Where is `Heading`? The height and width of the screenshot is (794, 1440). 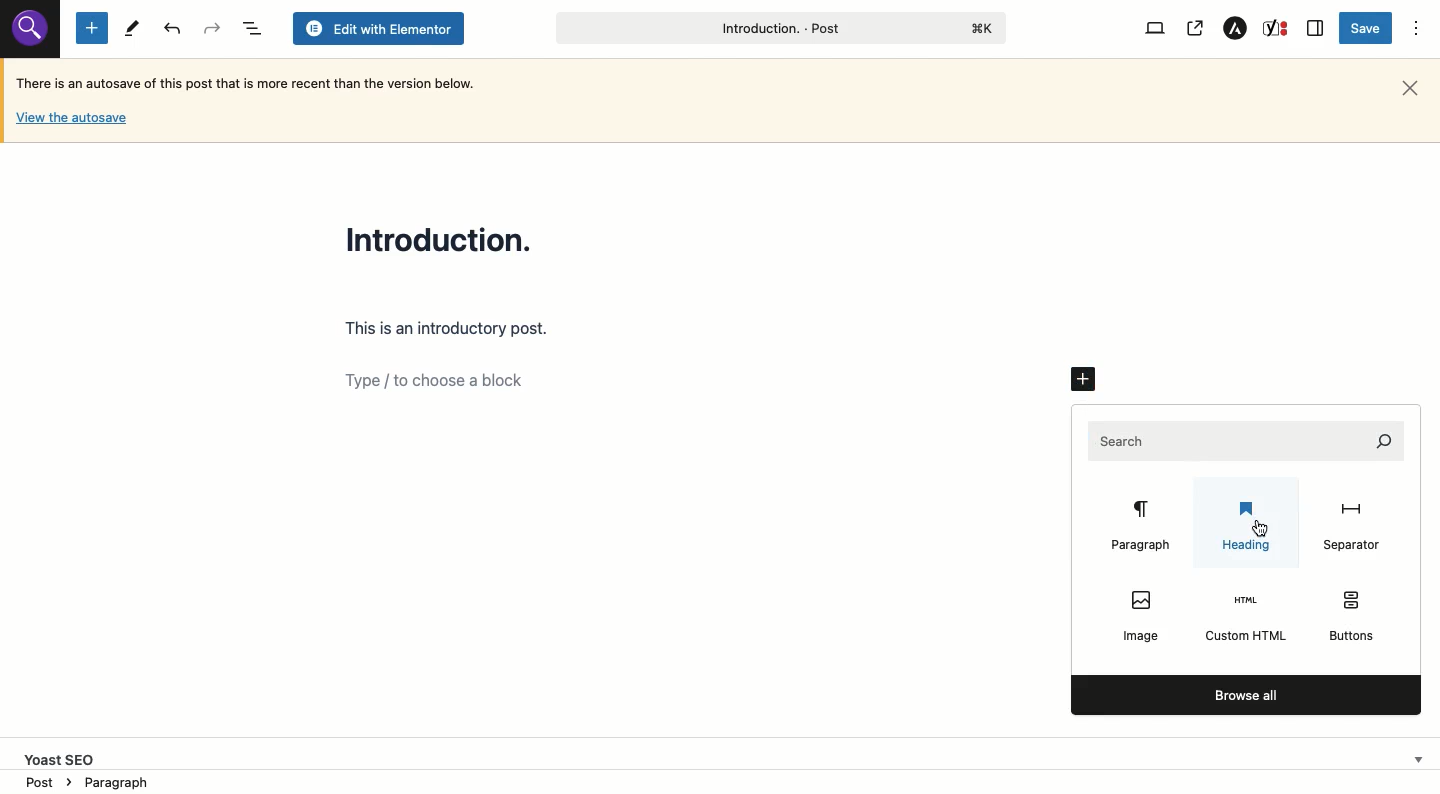 Heading is located at coordinates (1246, 529).